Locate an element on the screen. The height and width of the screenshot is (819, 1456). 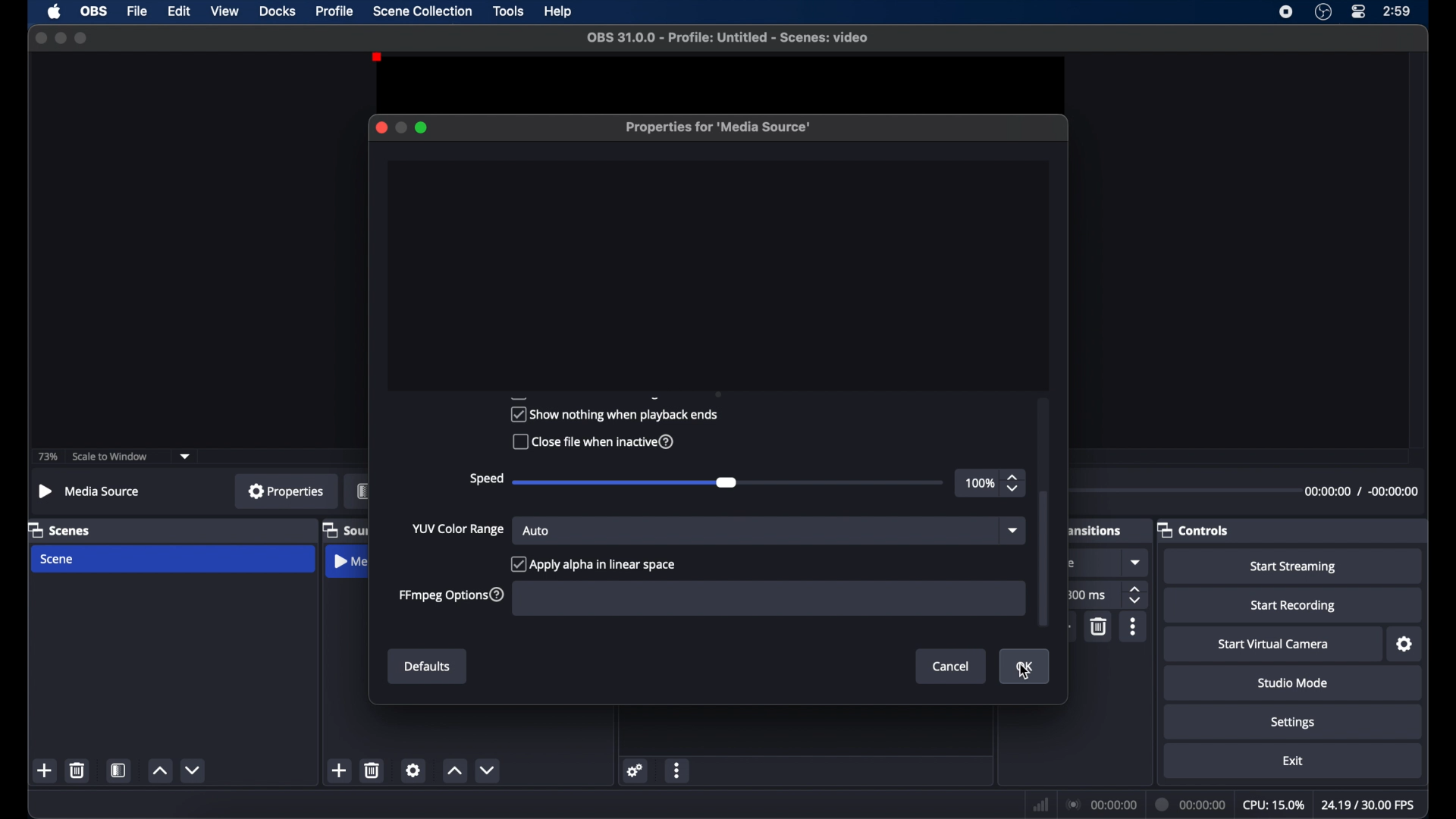
tools is located at coordinates (509, 11).